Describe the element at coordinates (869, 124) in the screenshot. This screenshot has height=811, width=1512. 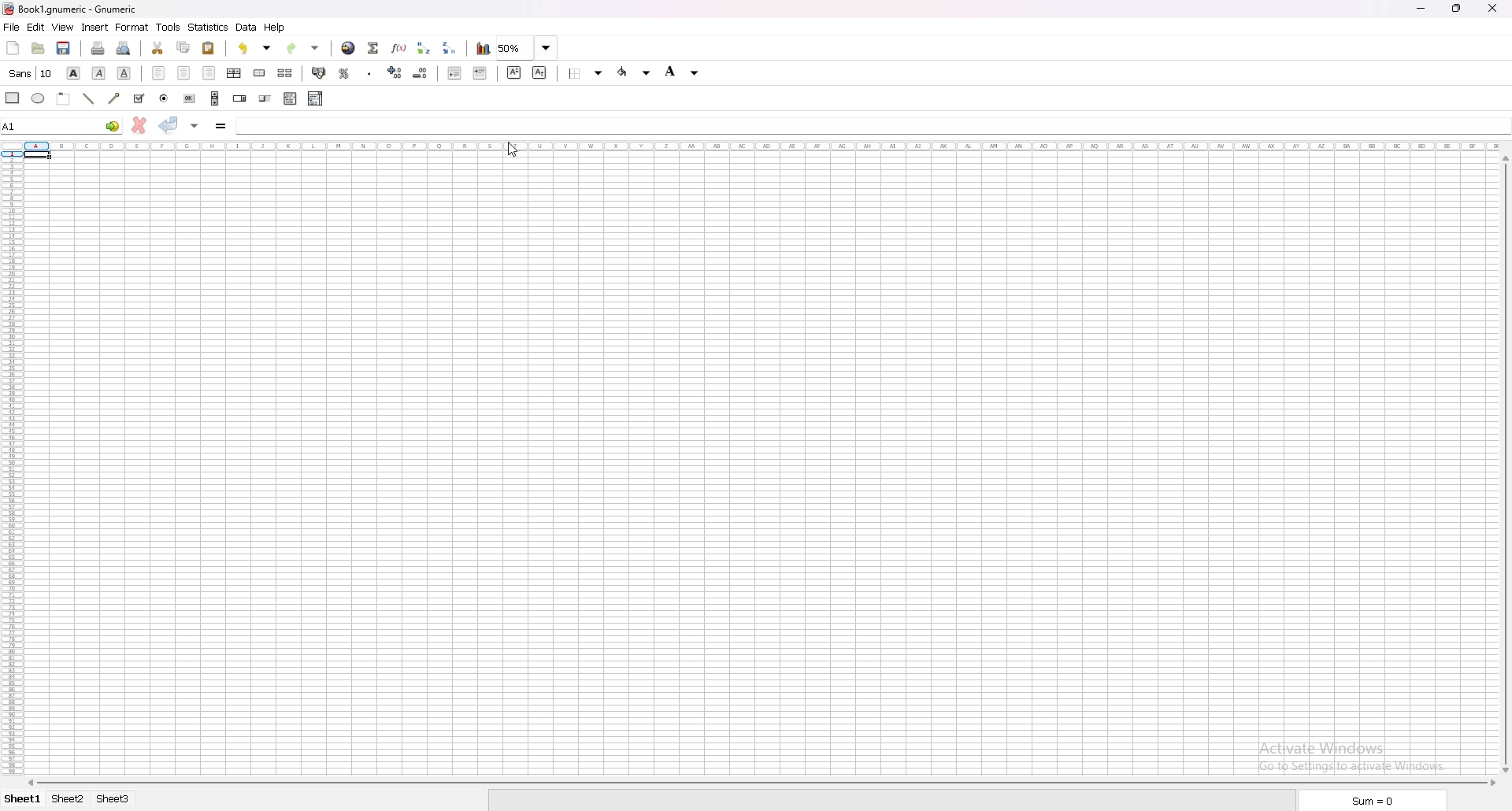
I see `cell input` at that location.